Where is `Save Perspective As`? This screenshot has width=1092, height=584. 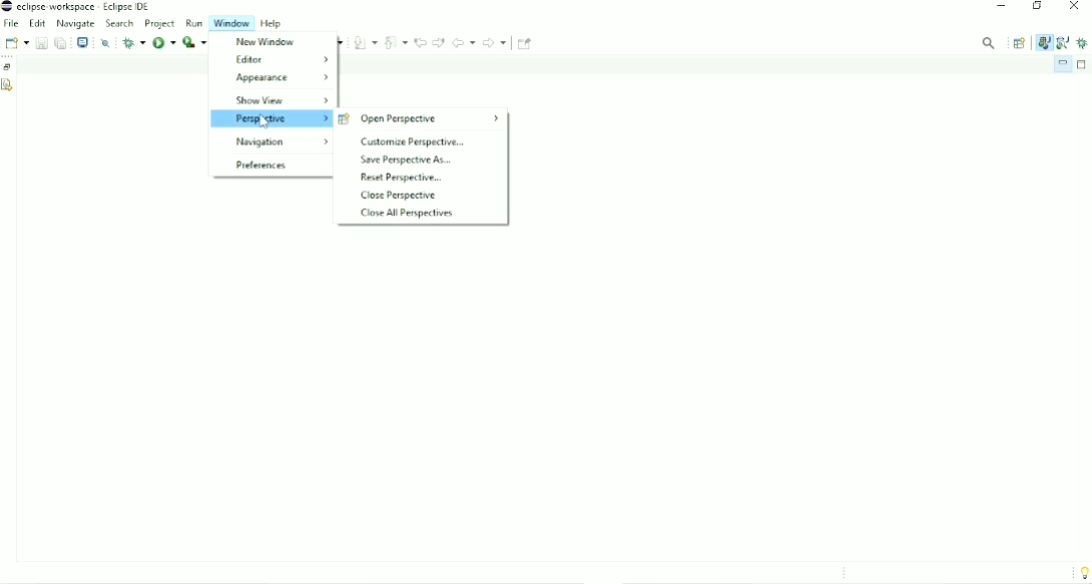 Save Perspective As is located at coordinates (406, 160).